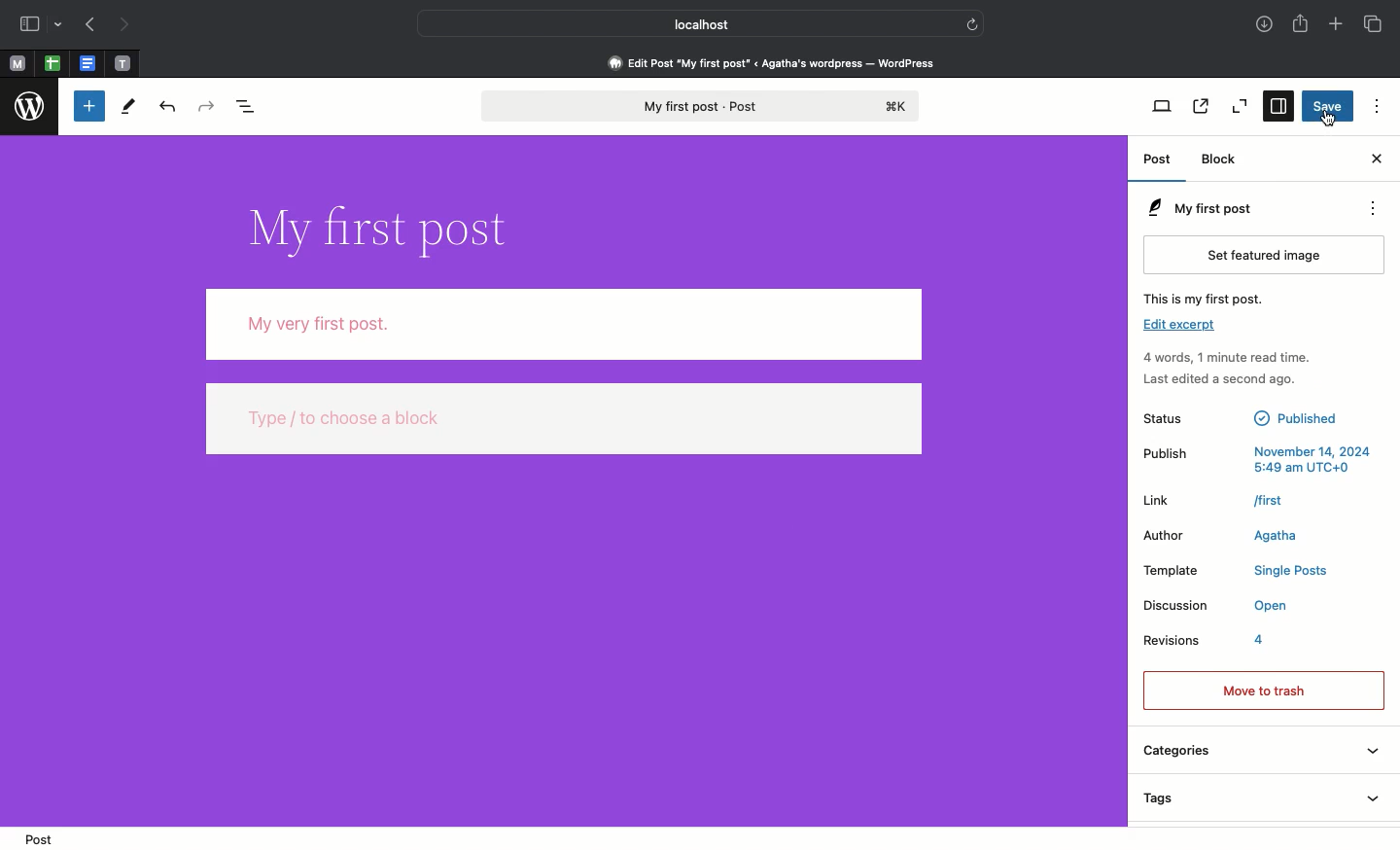 This screenshot has height=850, width=1400. Describe the element at coordinates (564, 422) in the screenshot. I see `Type / to choose a block` at that location.